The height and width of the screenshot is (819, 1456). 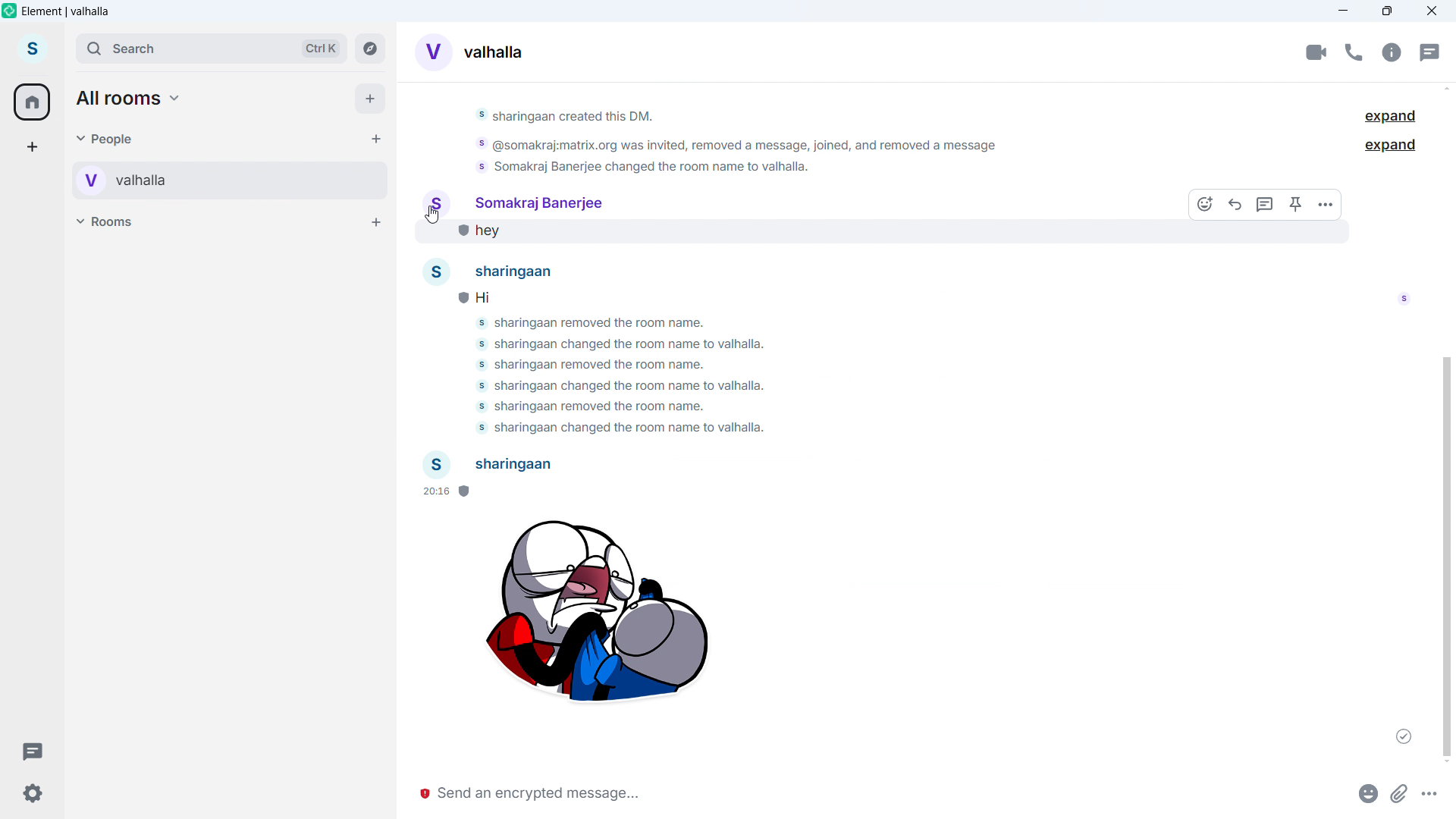 What do you see at coordinates (1432, 792) in the screenshot?
I see `More options` at bounding box center [1432, 792].